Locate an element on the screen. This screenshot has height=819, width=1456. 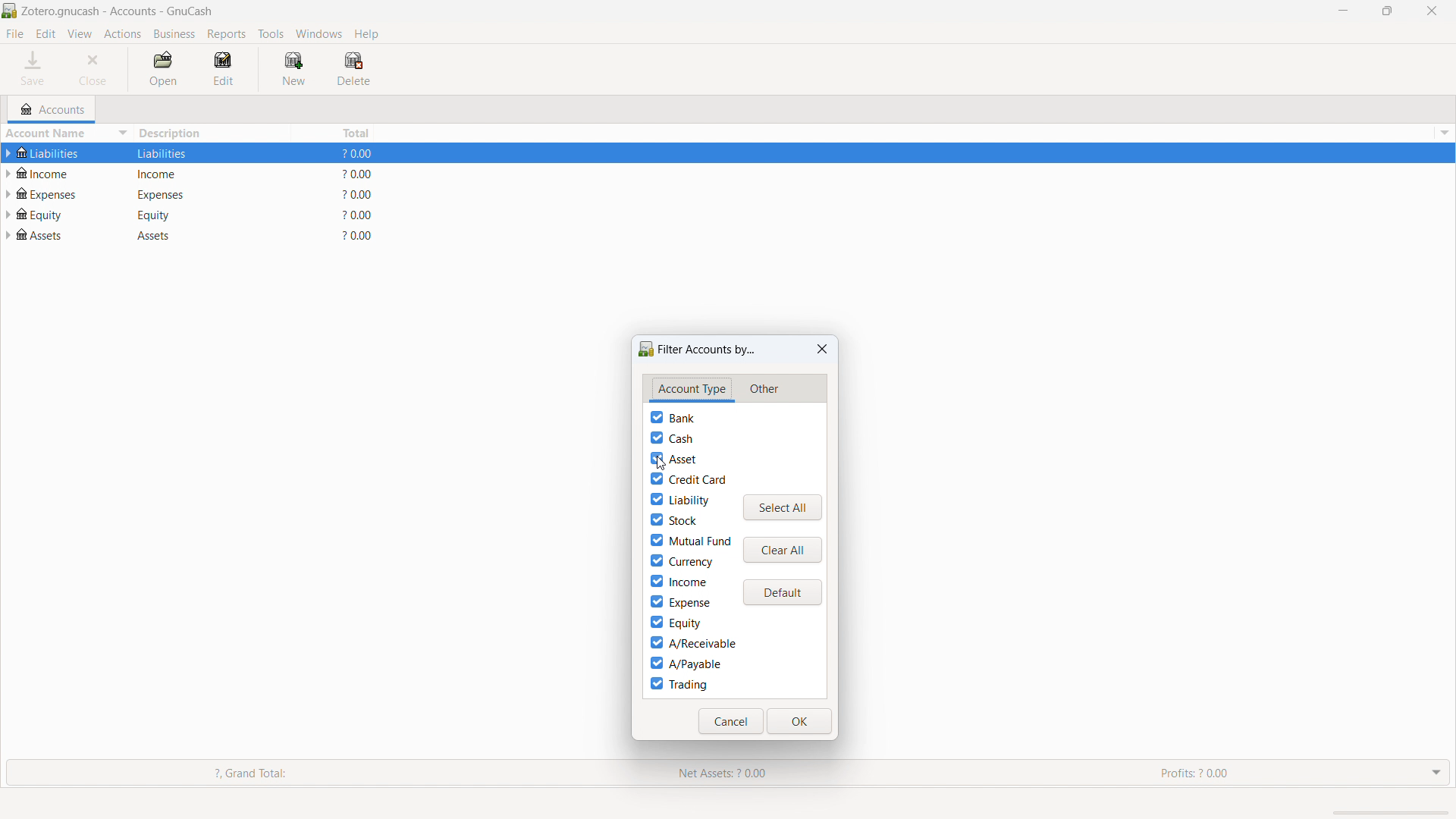
actions is located at coordinates (123, 35).